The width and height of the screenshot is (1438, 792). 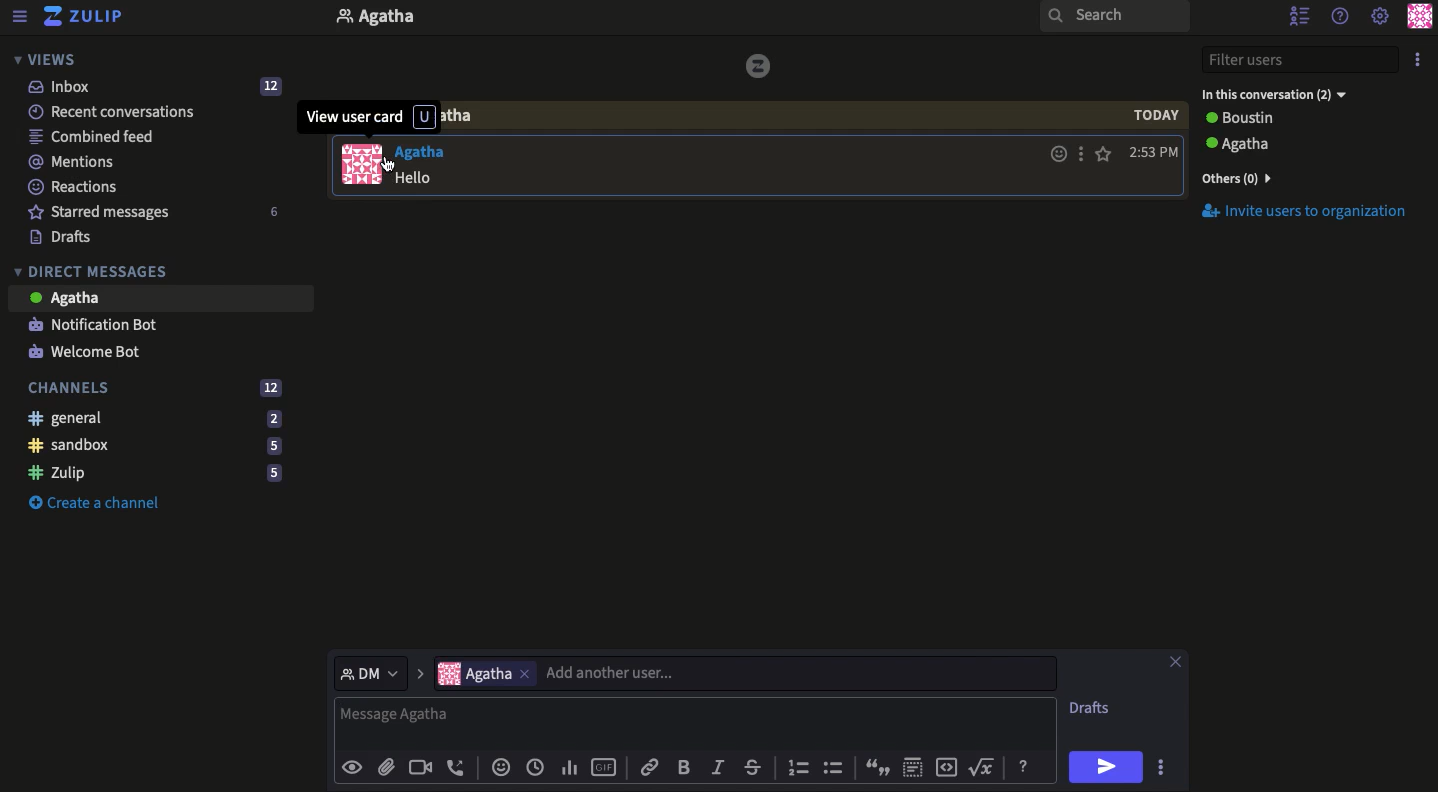 I want to click on Time, so click(x=1155, y=152).